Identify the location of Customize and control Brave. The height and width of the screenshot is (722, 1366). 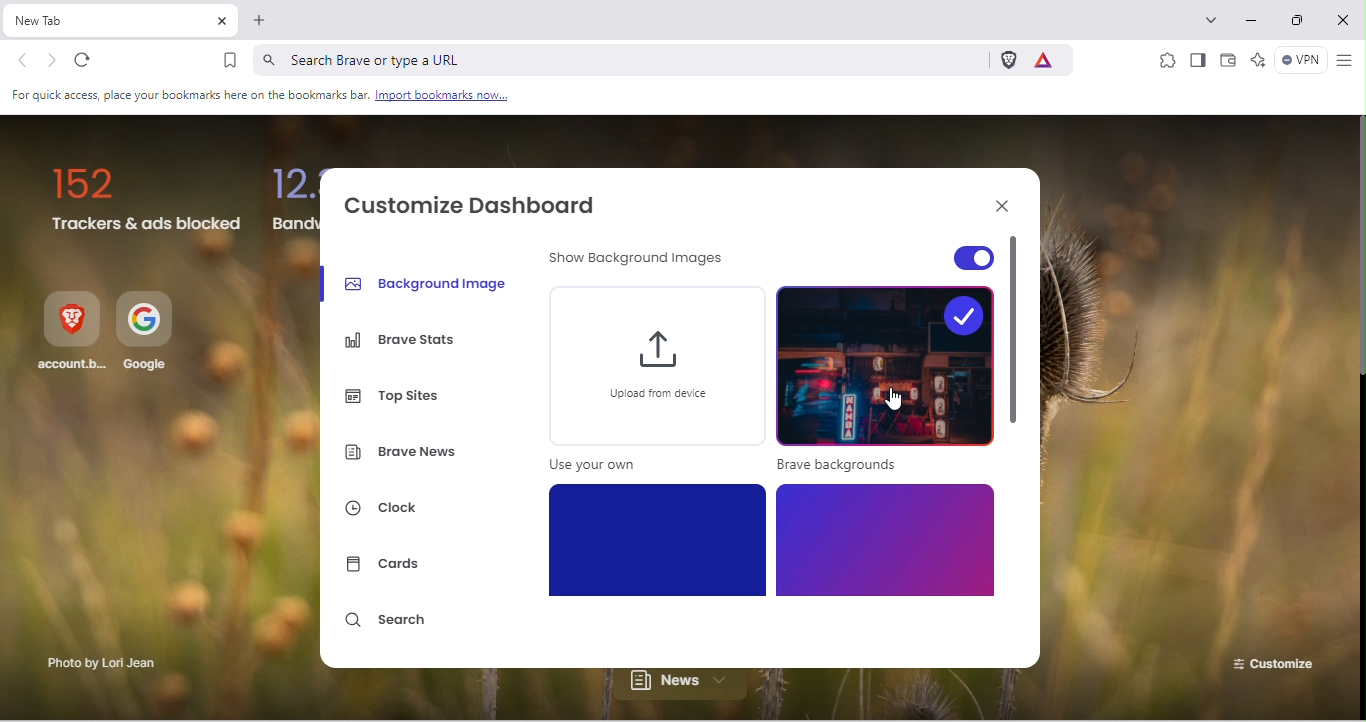
(1344, 61).